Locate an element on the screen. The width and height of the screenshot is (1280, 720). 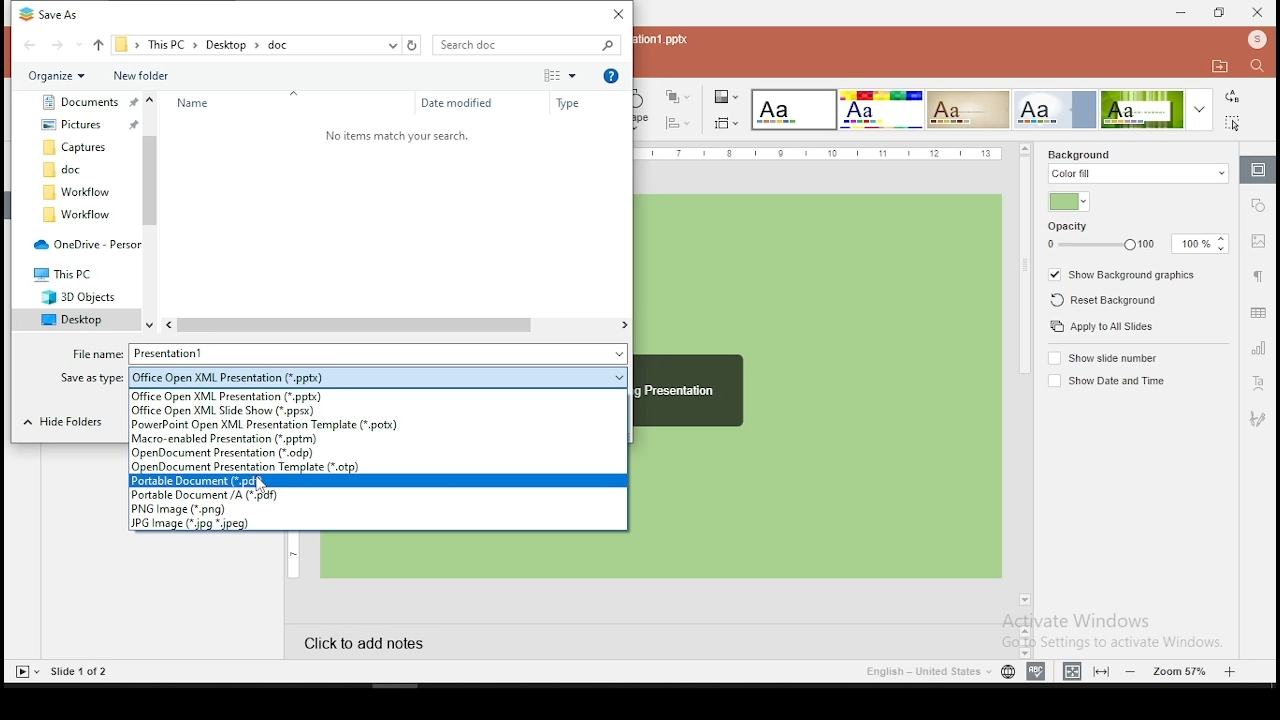
portable document/A is located at coordinates (379, 494).